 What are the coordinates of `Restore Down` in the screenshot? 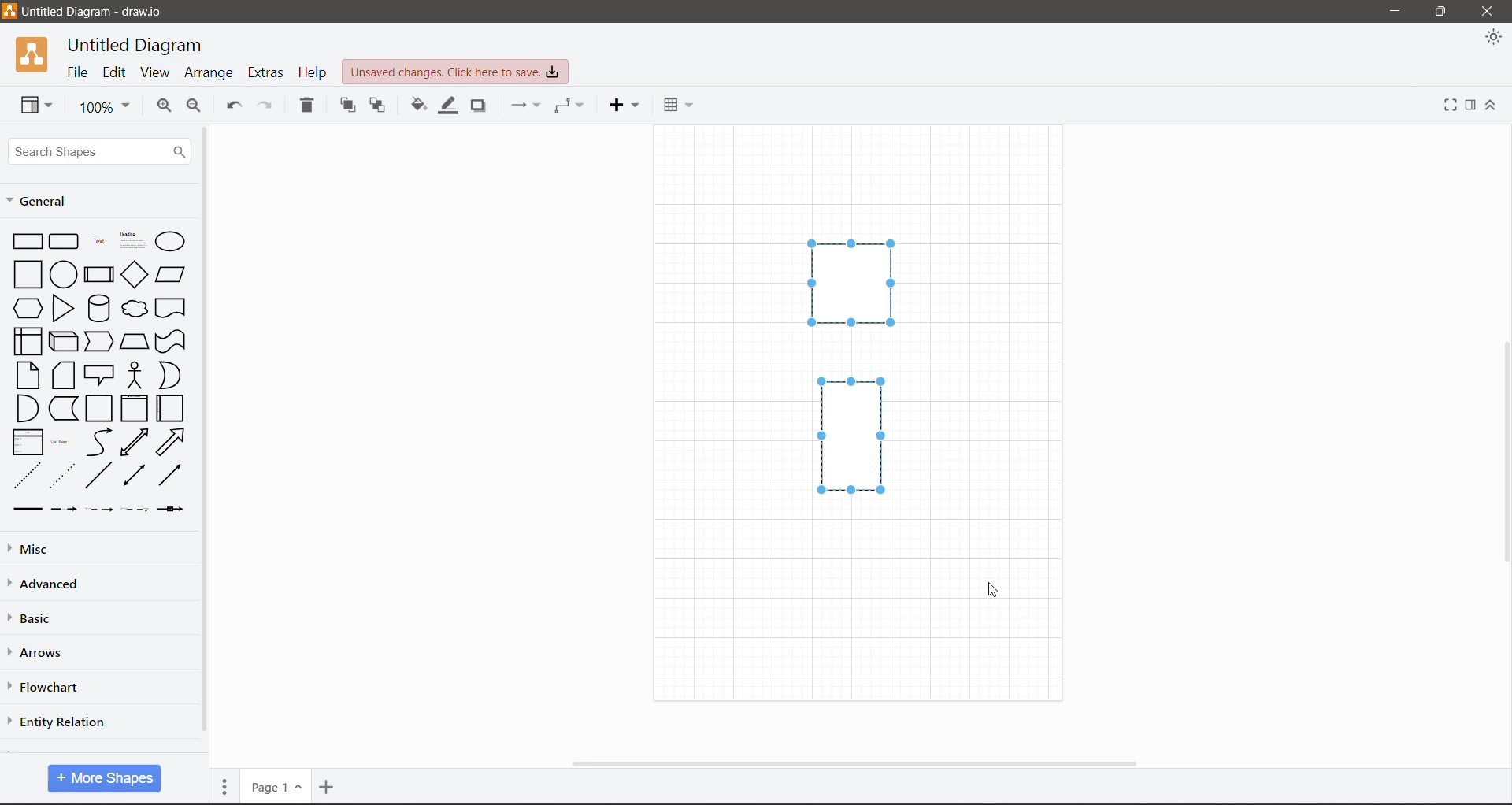 It's located at (1441, 12).